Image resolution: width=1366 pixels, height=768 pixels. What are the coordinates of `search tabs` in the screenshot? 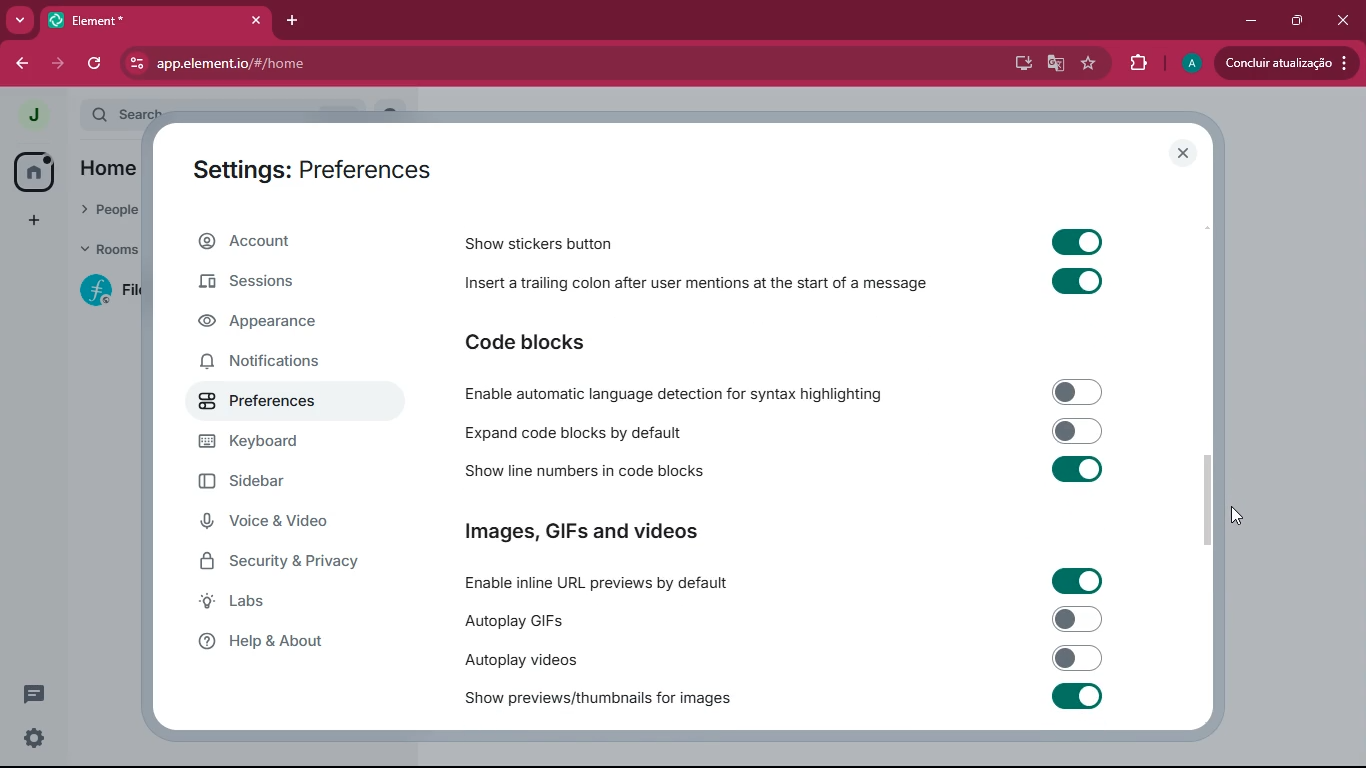 It's located at (21, 22).